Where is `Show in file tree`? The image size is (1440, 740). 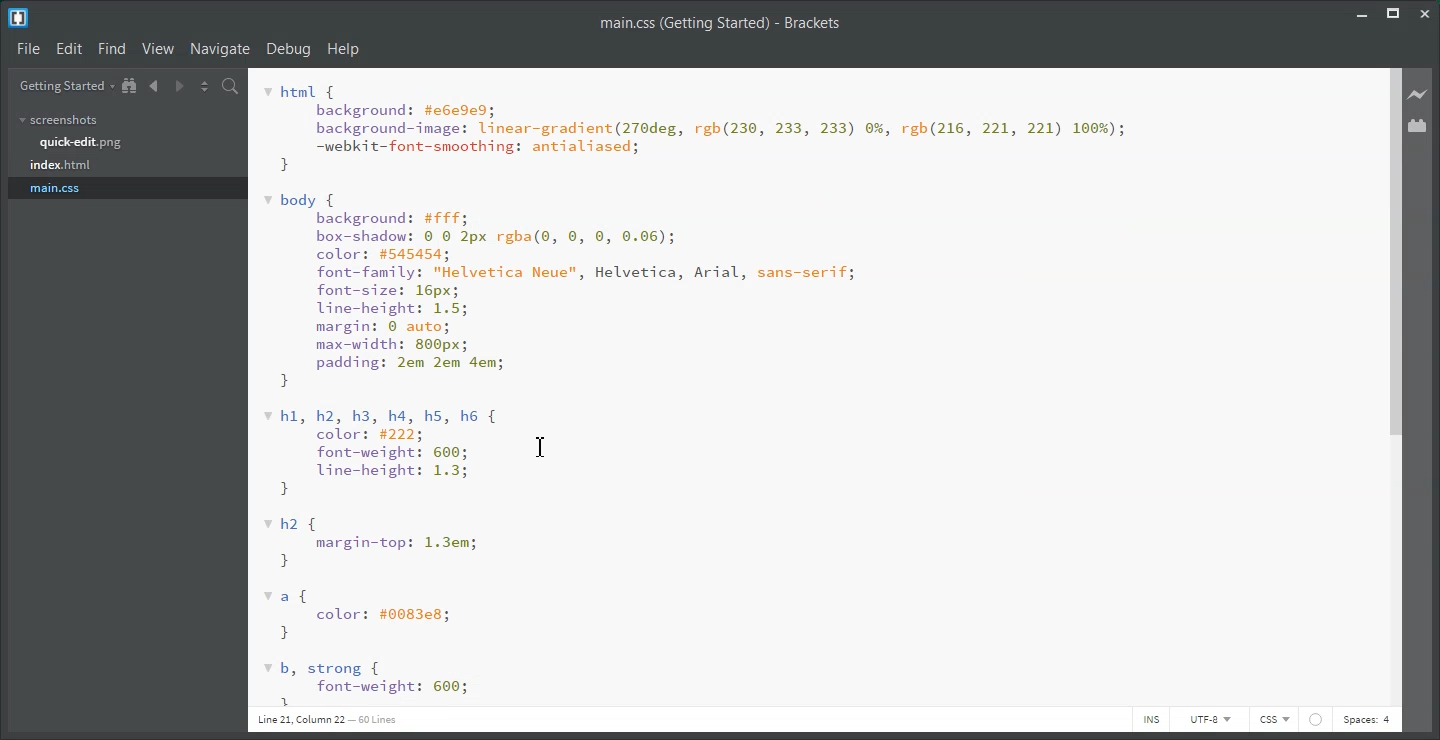
Show in file tree is located at coordinates (131, 86).